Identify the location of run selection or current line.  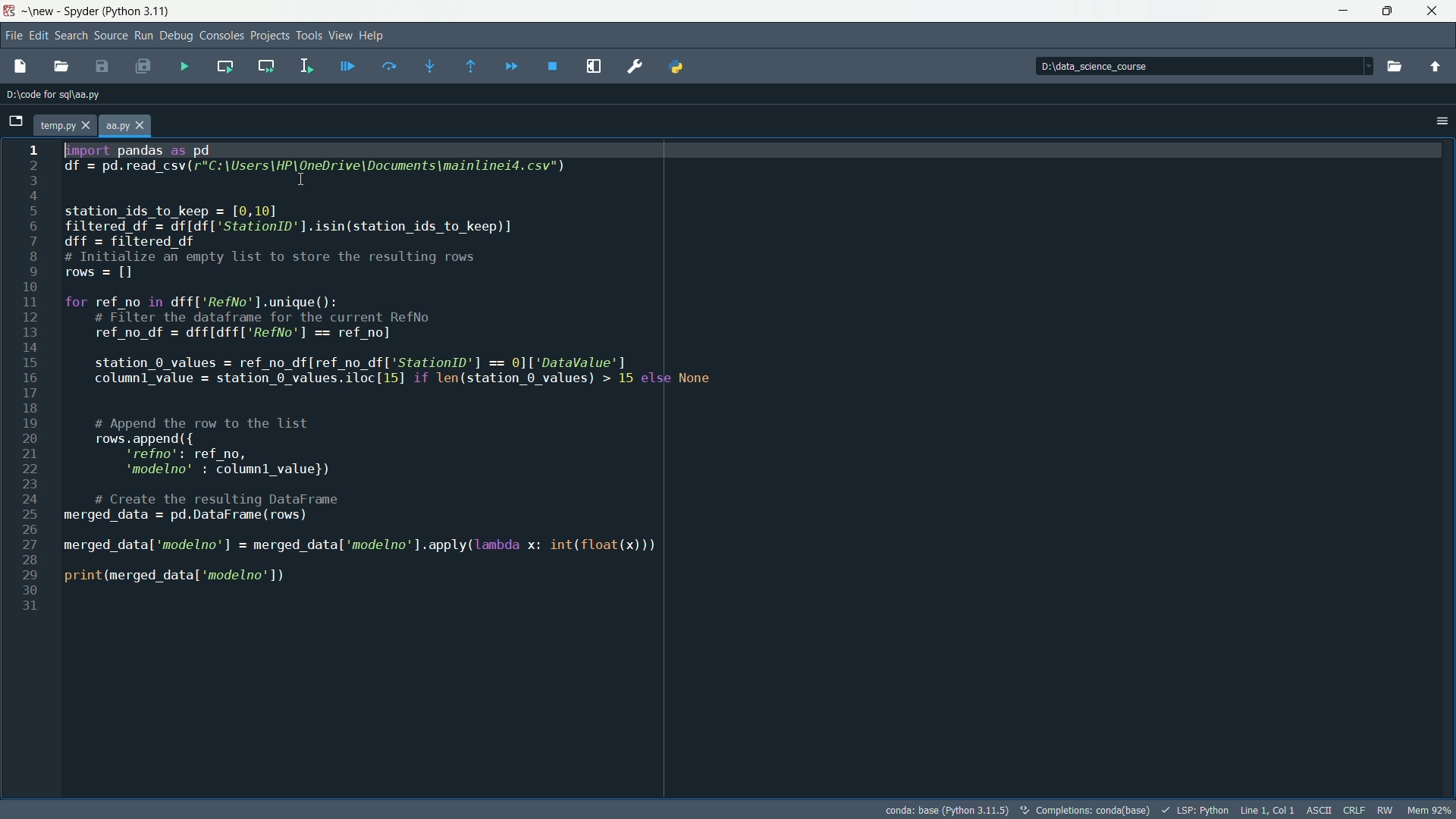
(310, 64).